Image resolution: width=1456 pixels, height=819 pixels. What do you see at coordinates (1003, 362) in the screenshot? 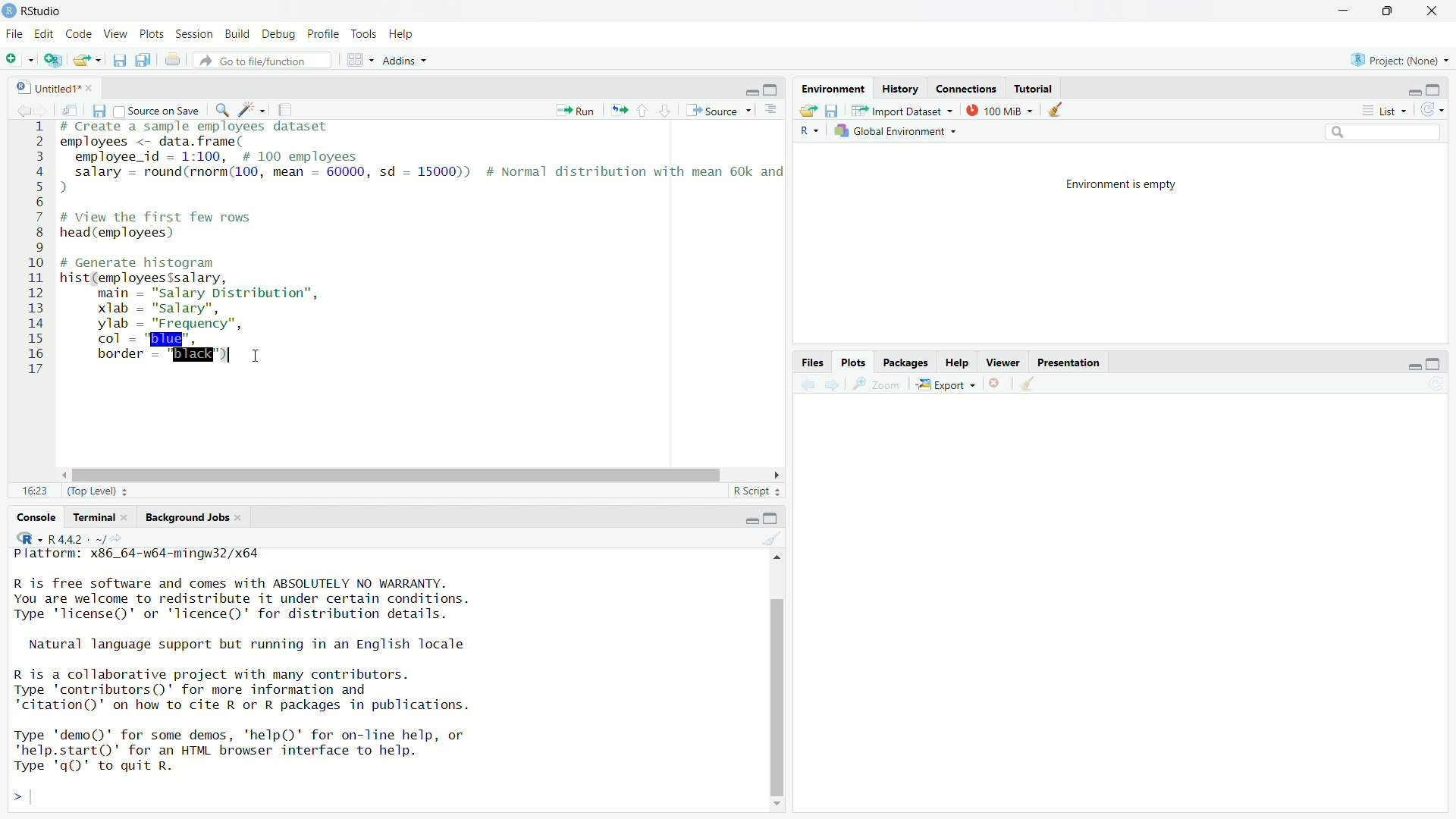
I see `Viewer` at bounding box center [1003, 362].